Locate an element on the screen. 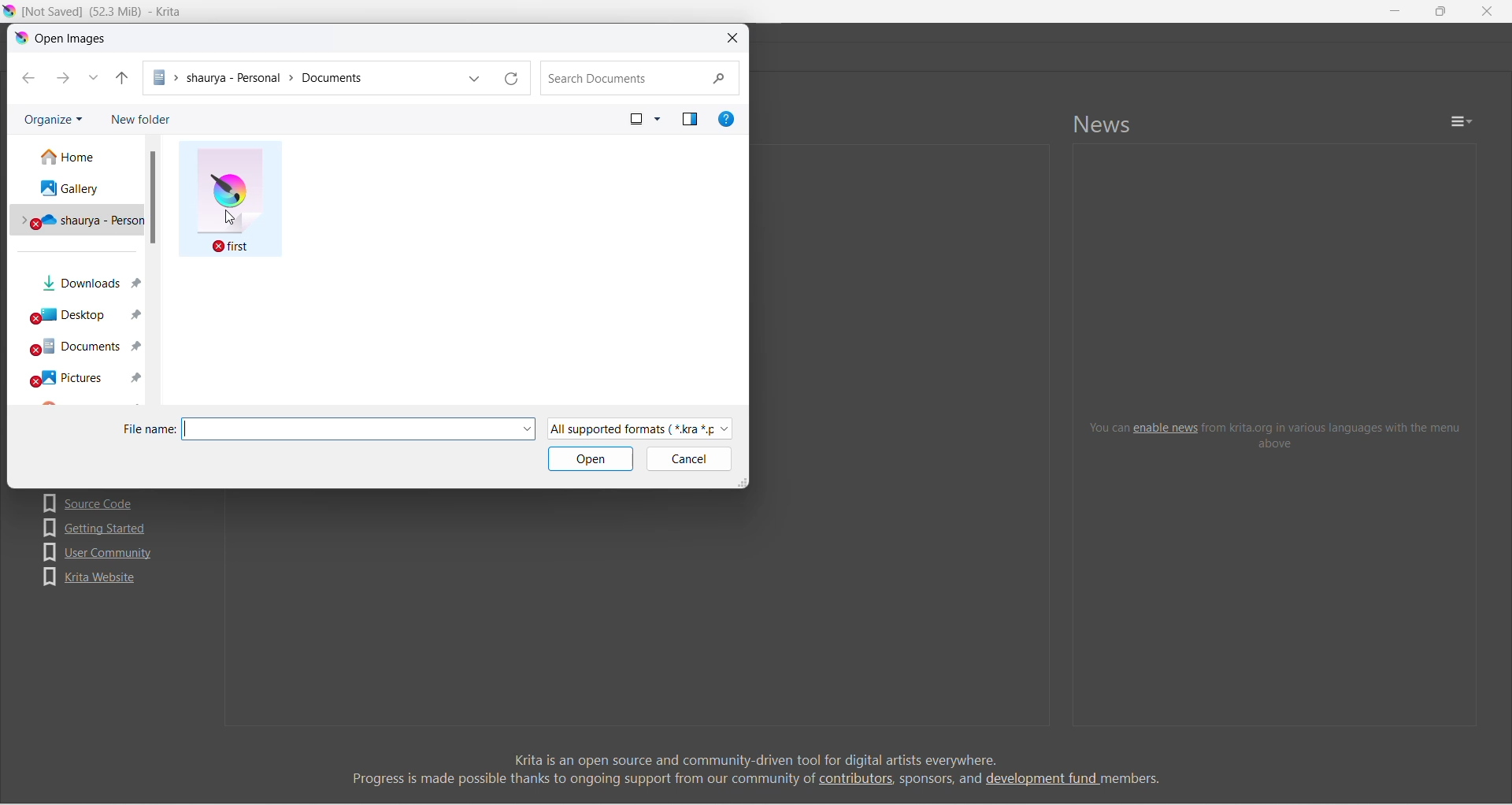 The image size is (1512, 805). all supported format is located at coordinates (640, 429).